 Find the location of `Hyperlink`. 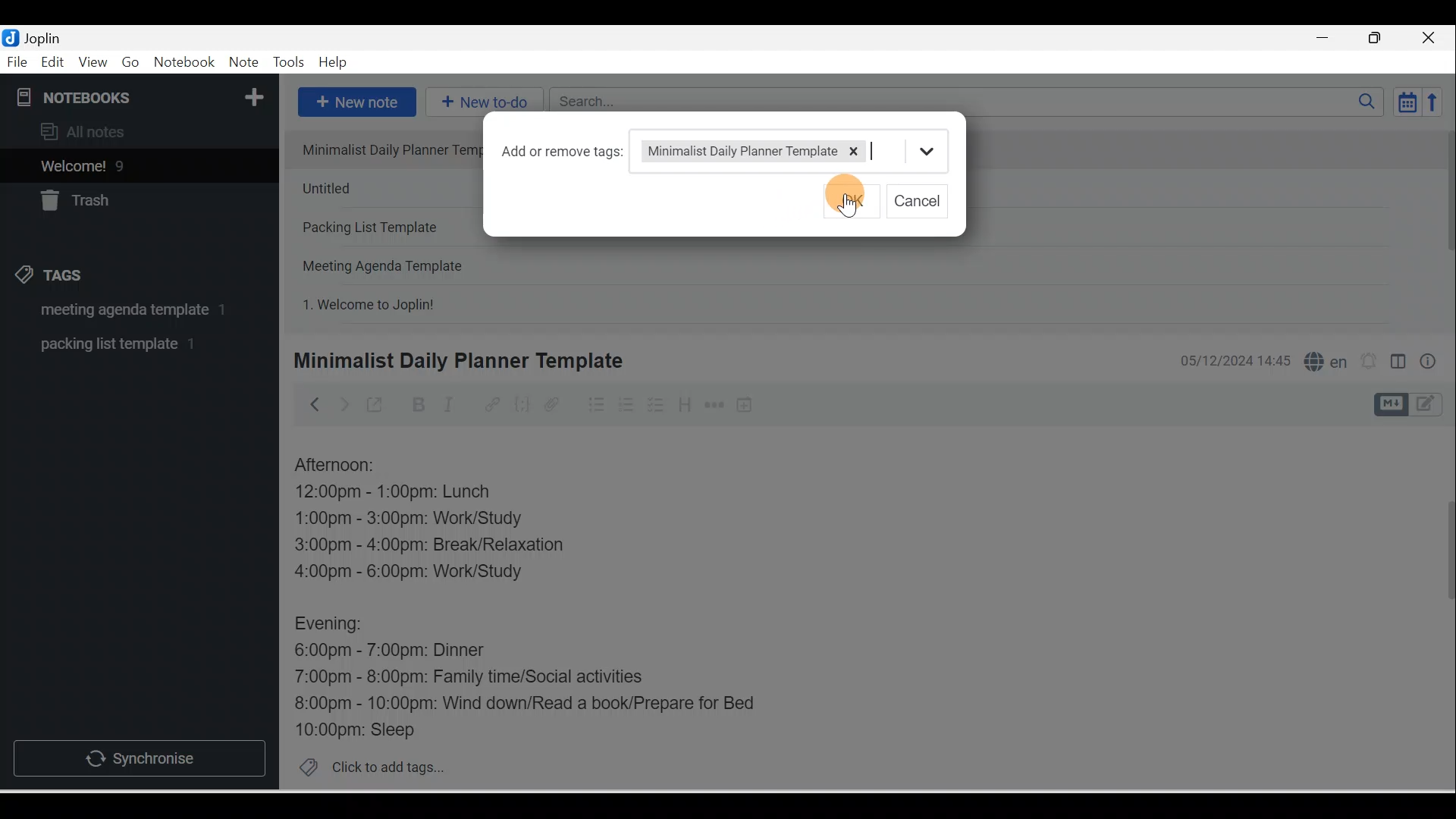

Hyperlink is located at coordinates (491, 406).